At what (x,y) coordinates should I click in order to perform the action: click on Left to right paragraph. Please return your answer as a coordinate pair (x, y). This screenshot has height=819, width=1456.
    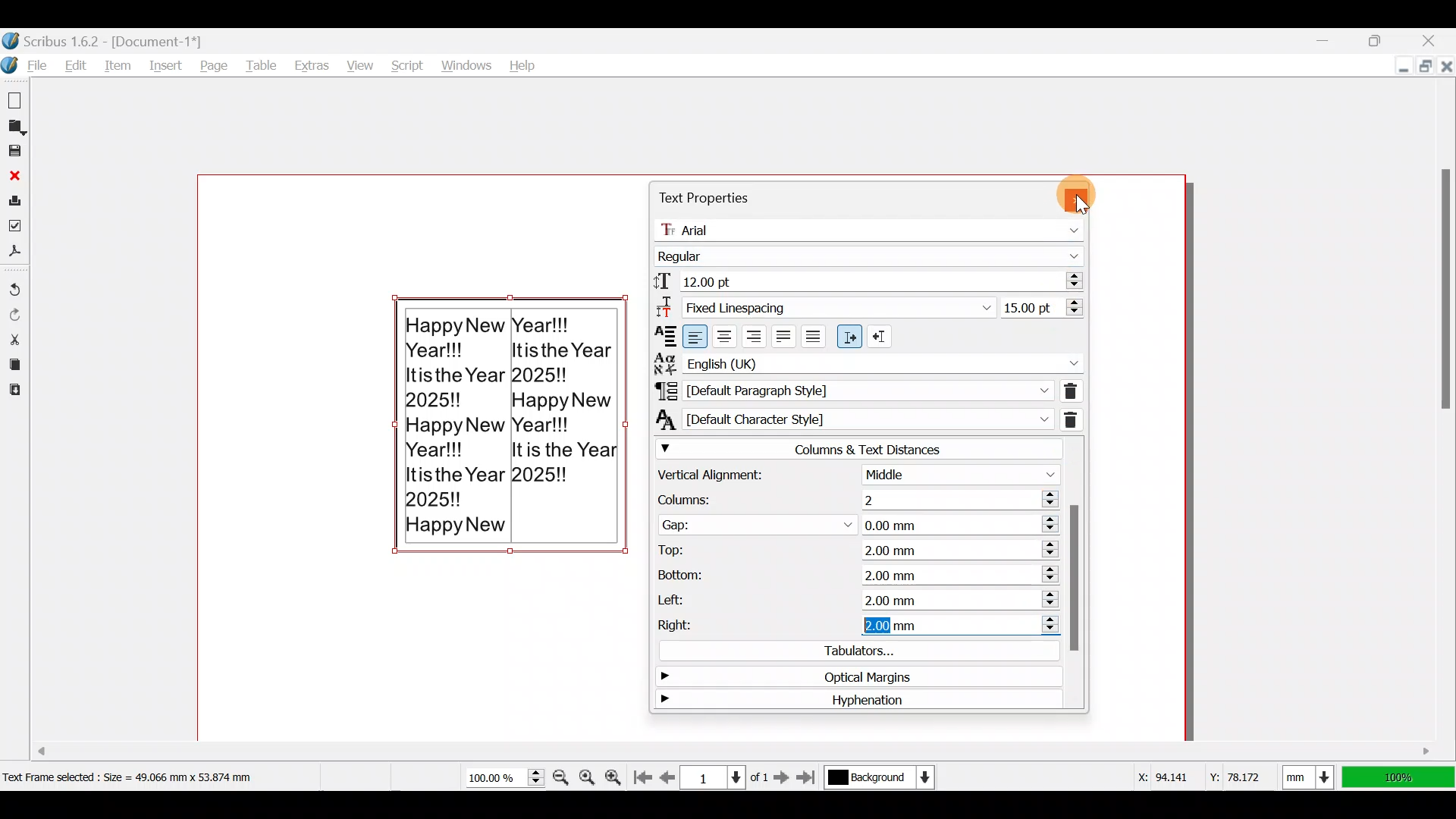
    Looking at the image, I should click on (849, 337).